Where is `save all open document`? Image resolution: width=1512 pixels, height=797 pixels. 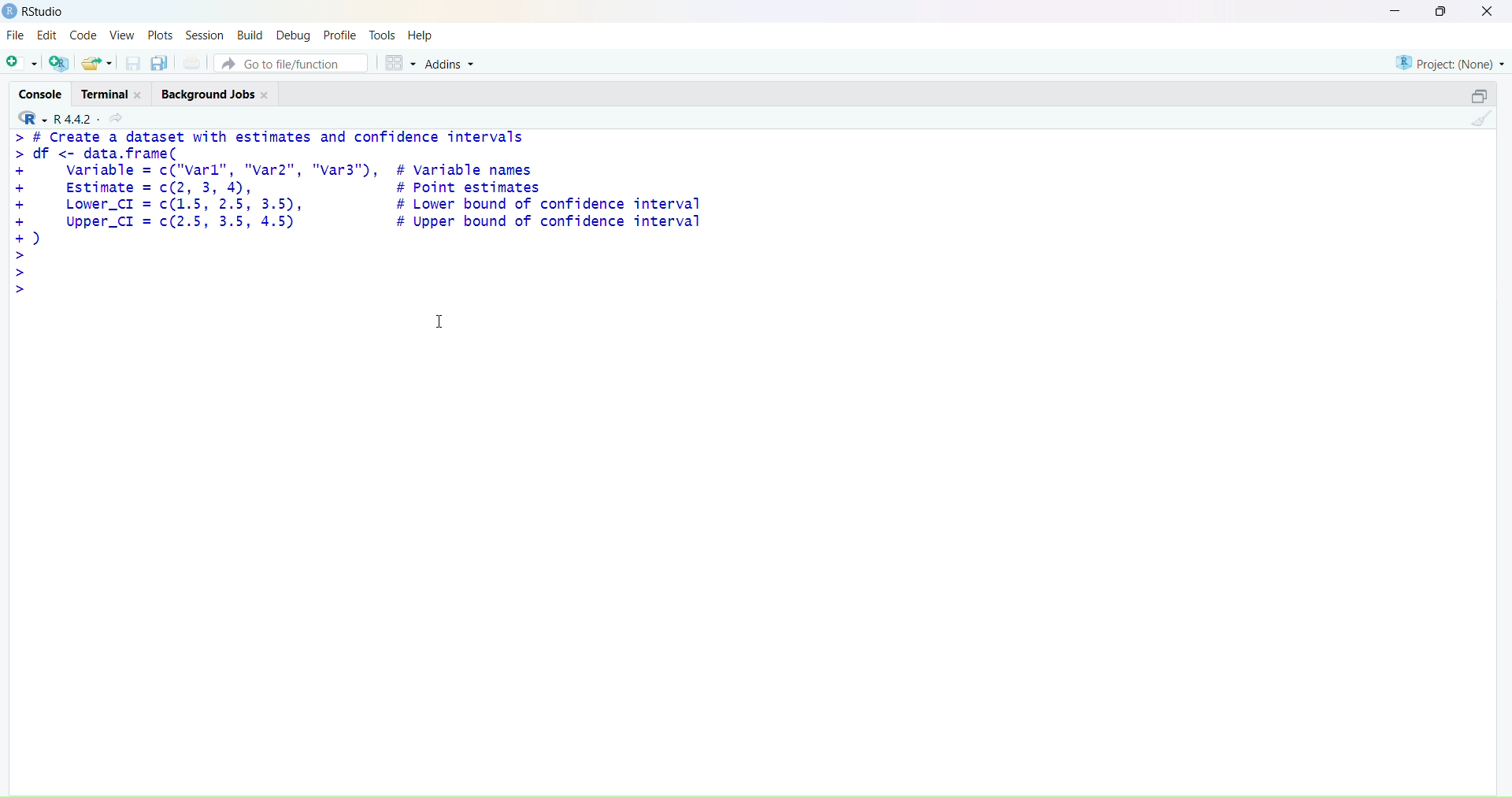
save all open document is located at coordinates (158, 63).